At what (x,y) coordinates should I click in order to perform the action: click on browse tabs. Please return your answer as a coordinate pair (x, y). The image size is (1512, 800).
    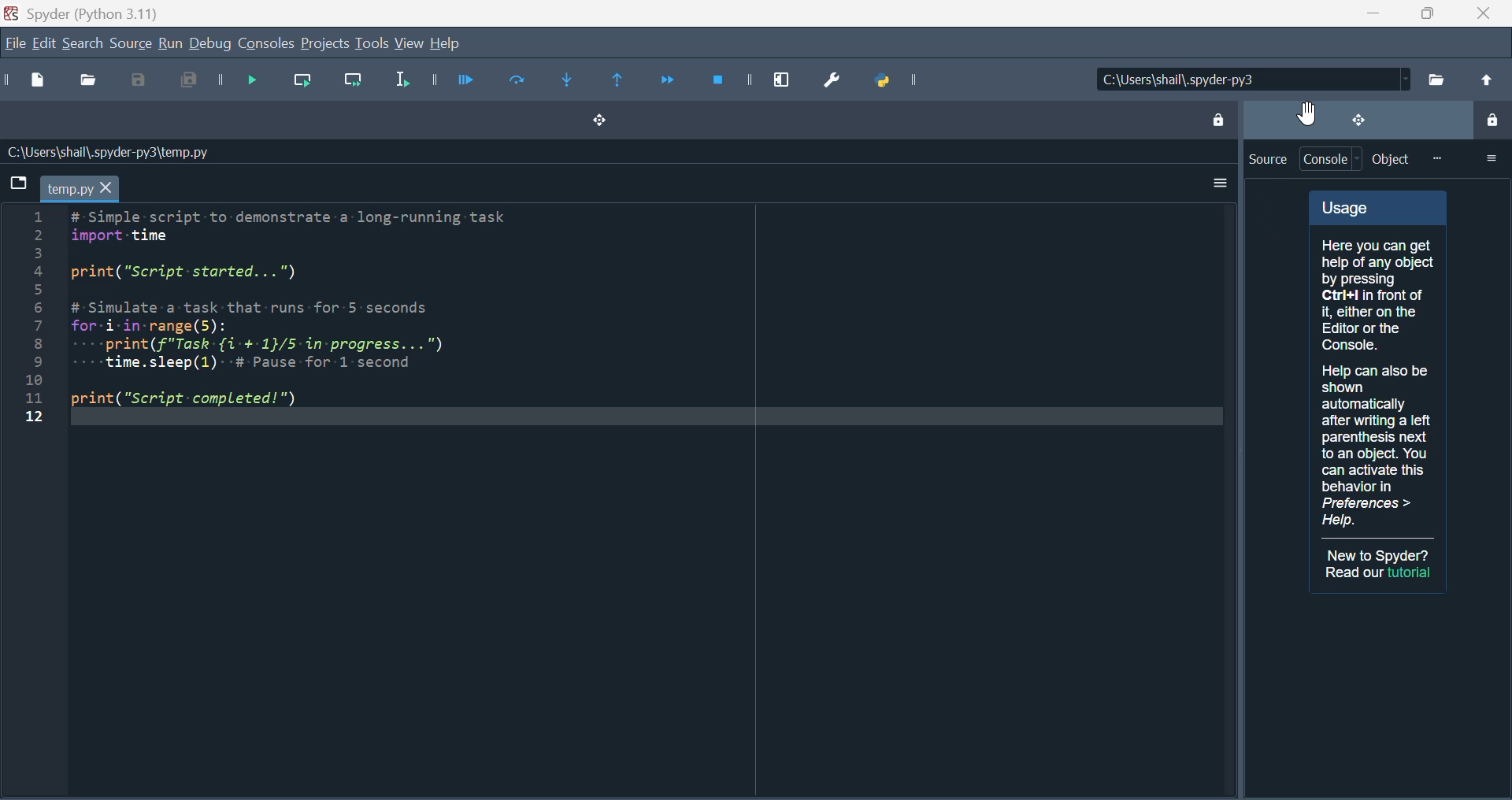
    Looking at the image, I should click on (17, 182).